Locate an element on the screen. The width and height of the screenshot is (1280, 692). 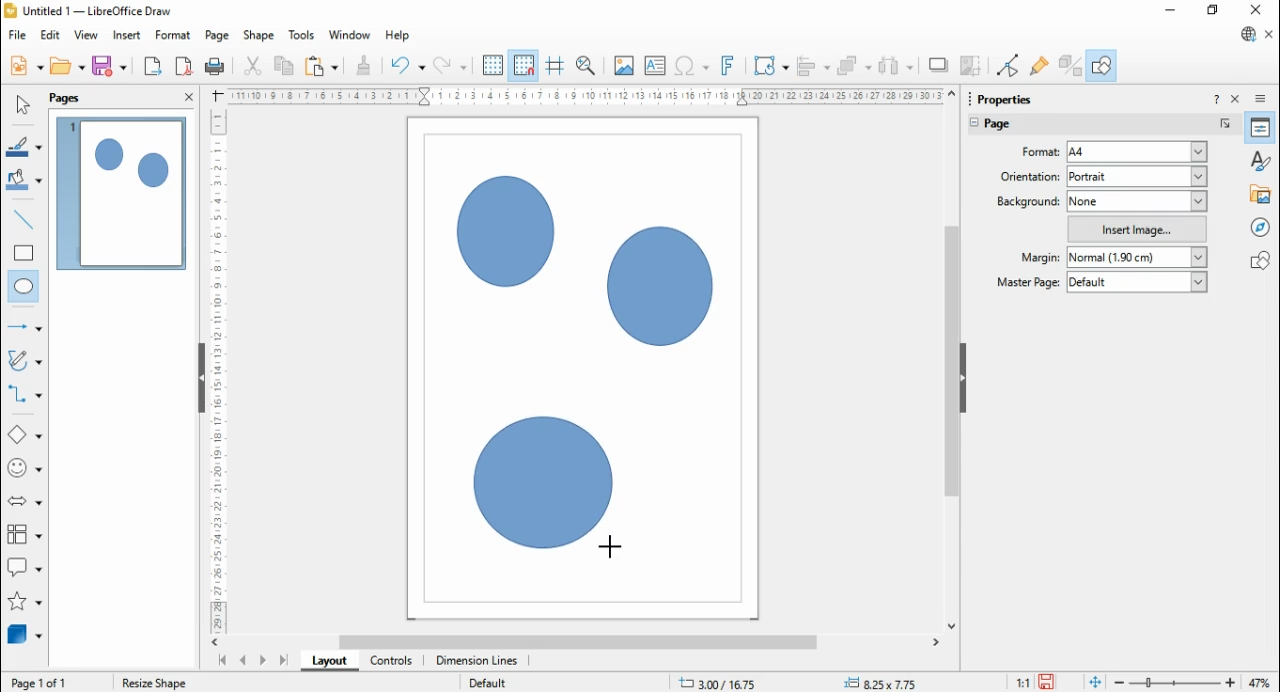
flowchart is located at coordinates (25, 538).